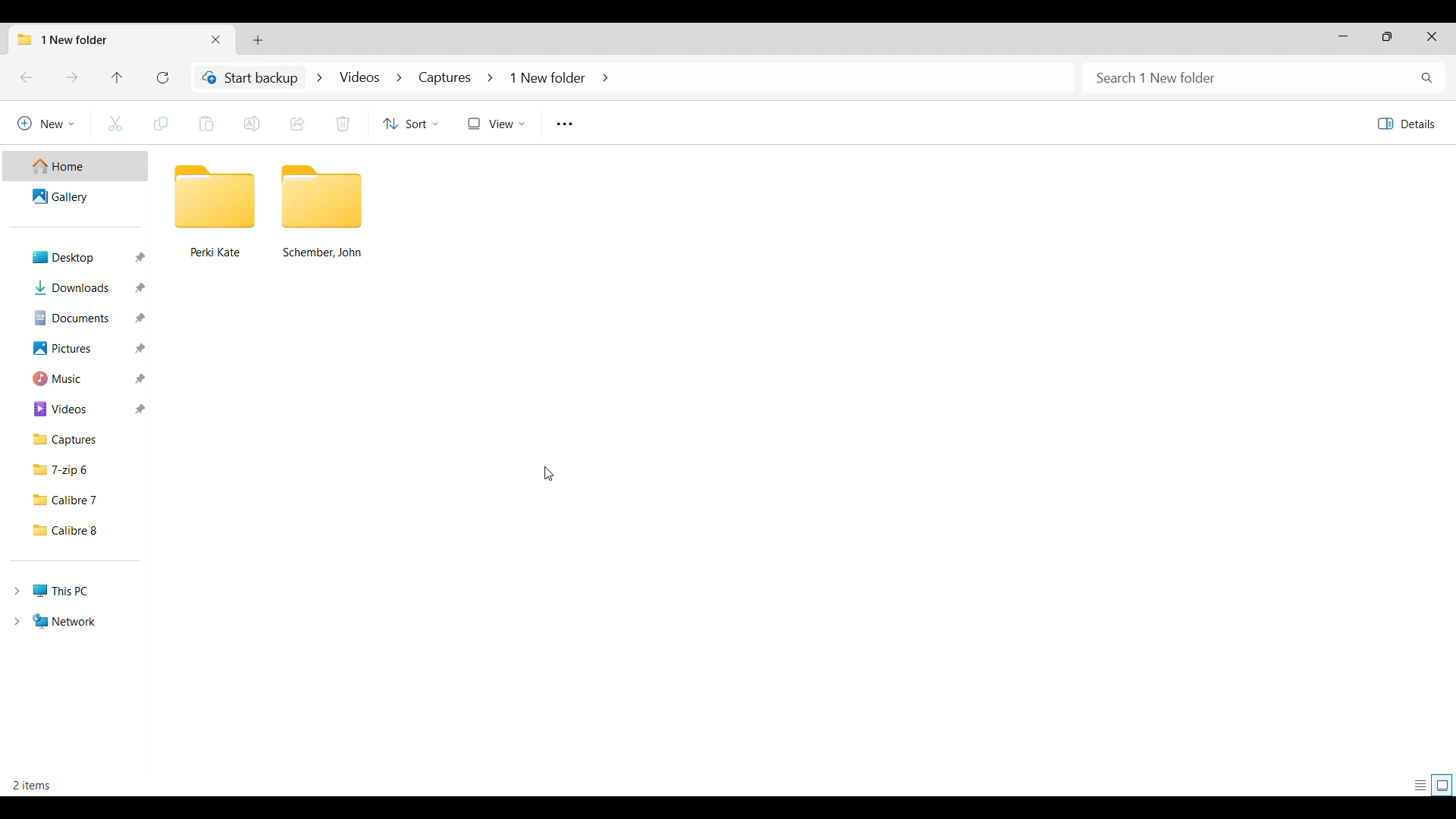 Image resolution: width=1456 pixels, height=819 pixels. Describe the element at coordinates (162, 124) in the screenshot. I see `Copy` at that location.